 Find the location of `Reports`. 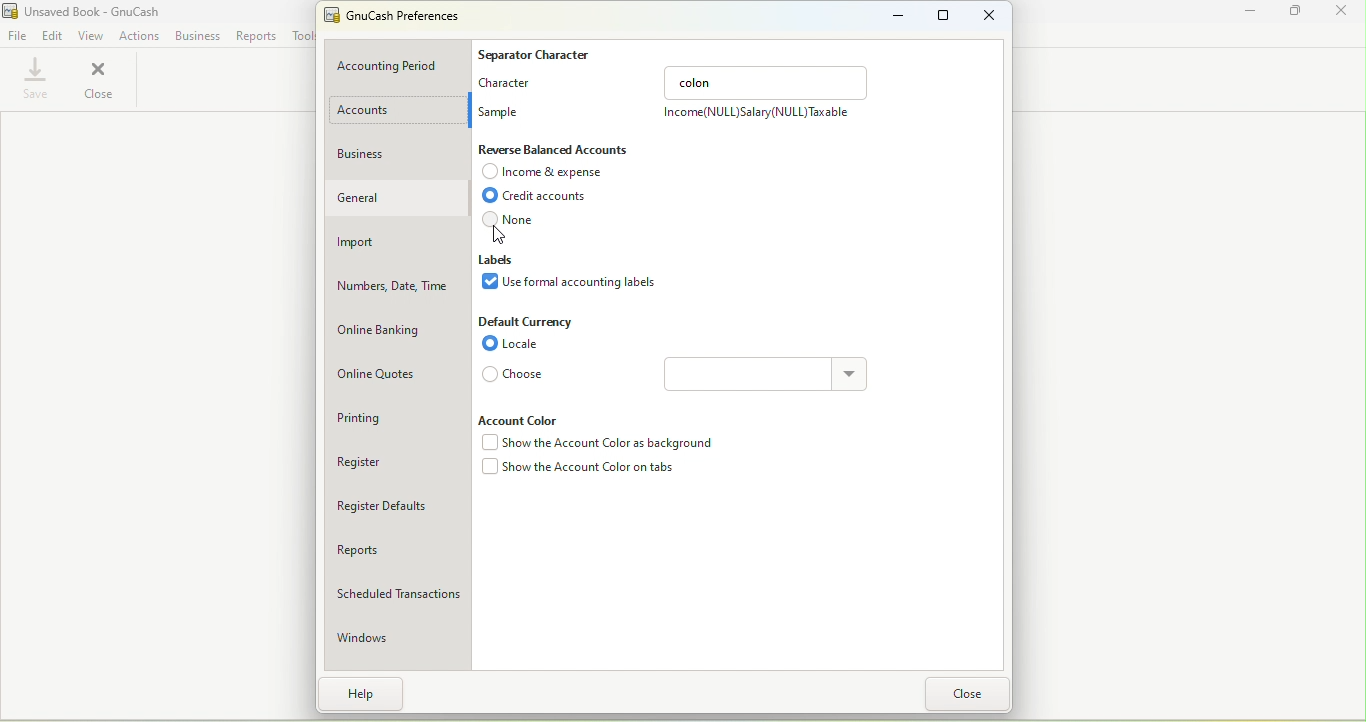

Reports is located at coordinates (399, 552).